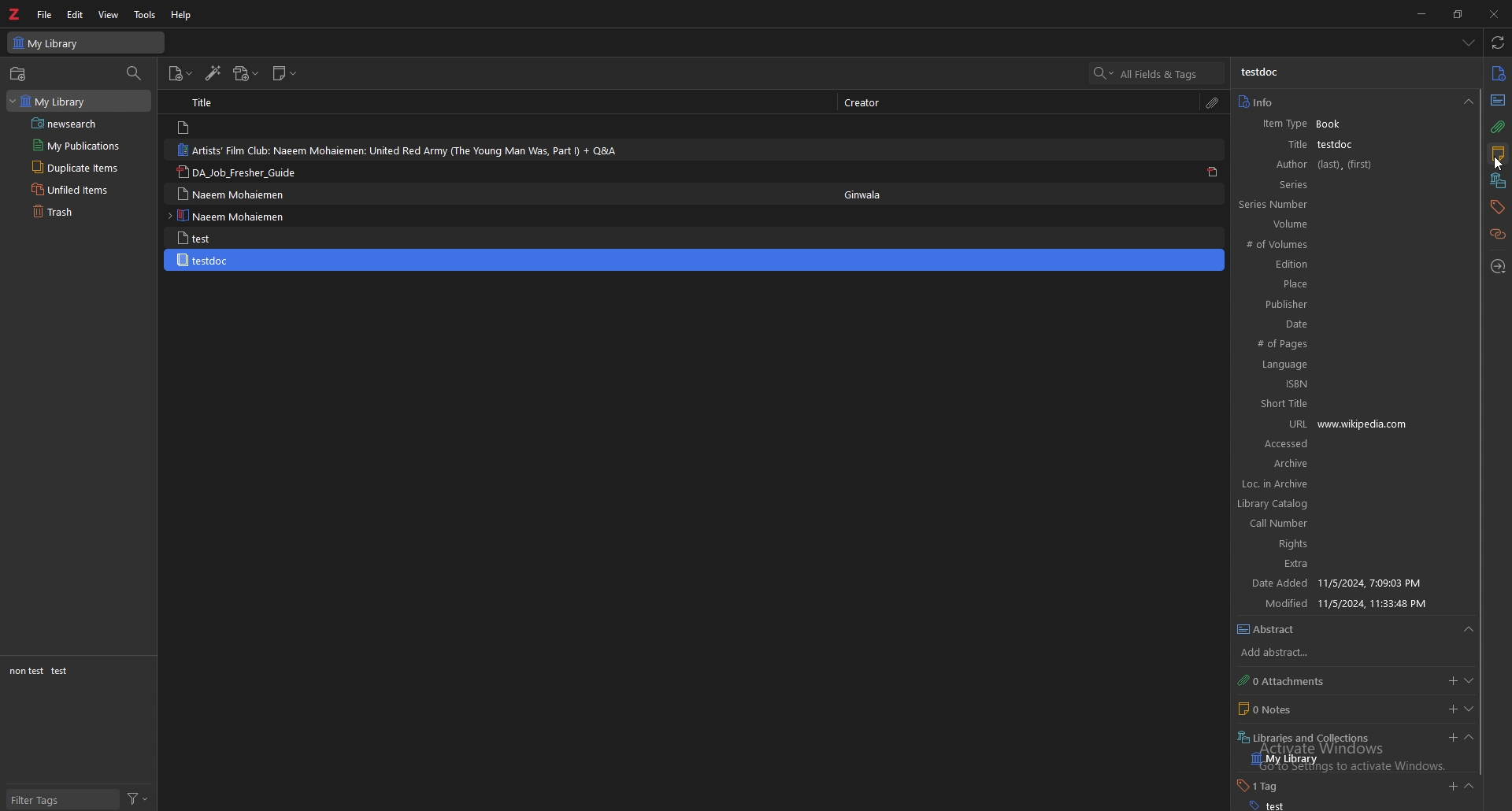 Image resolution: width=1512 pixels, height=811 pixels. I want to click on add items by identifier, so click(213, 72).